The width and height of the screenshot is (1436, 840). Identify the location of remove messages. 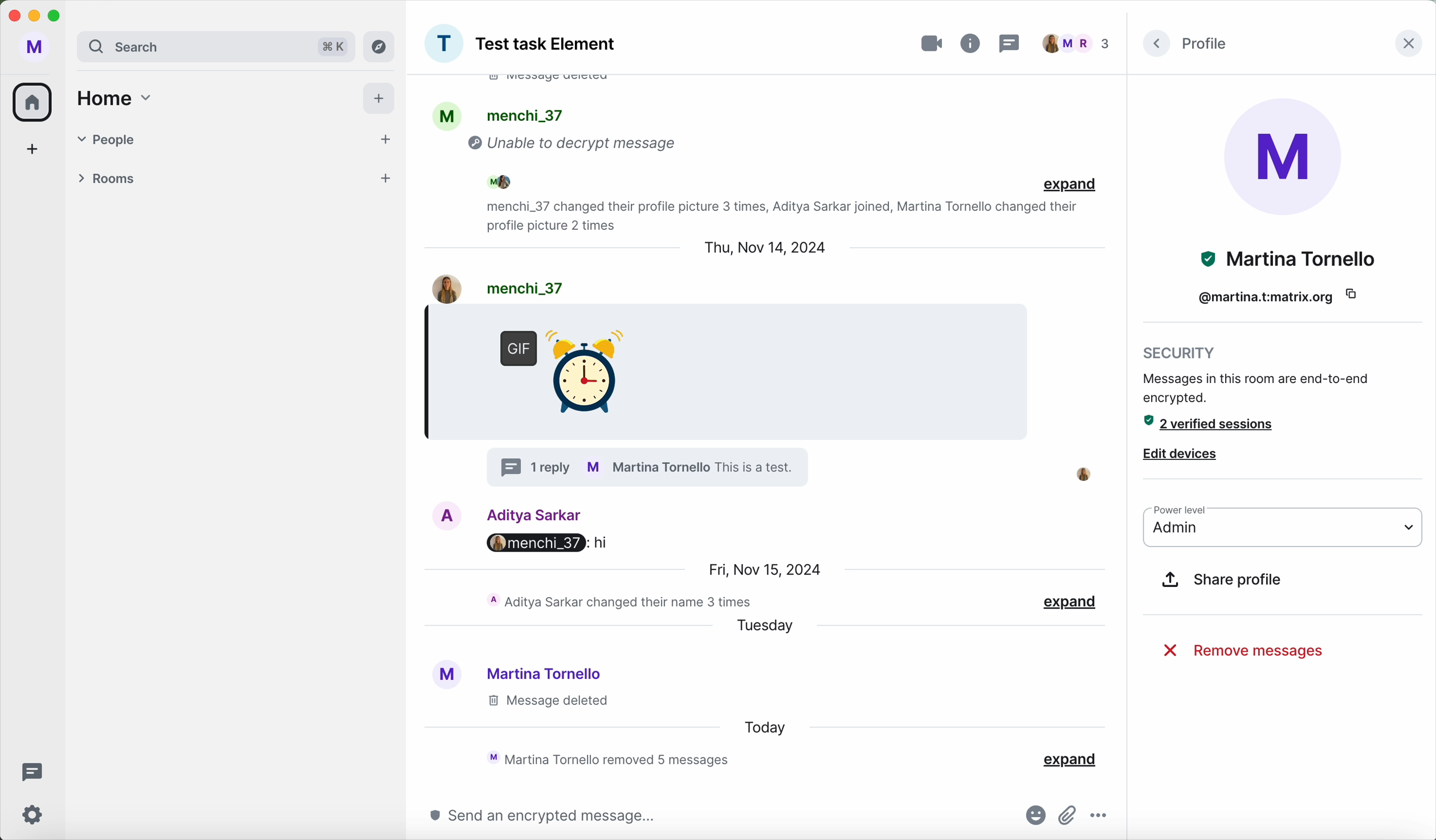
(1243, 651).